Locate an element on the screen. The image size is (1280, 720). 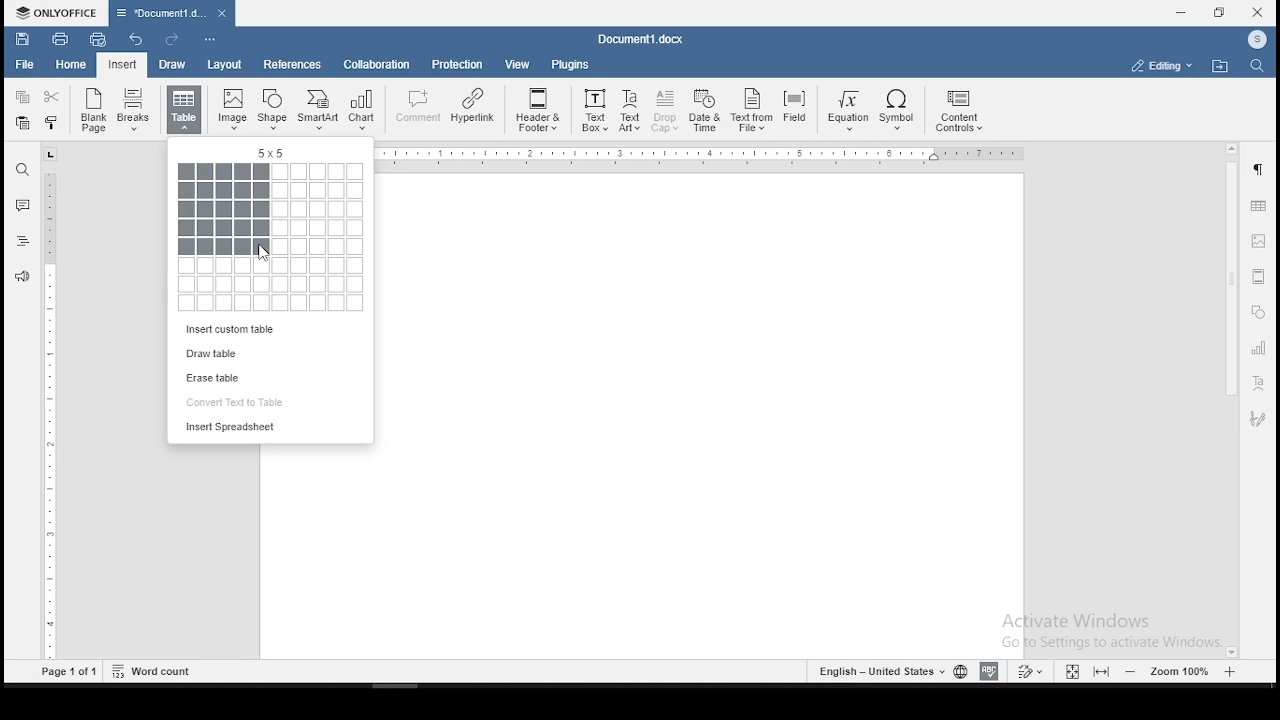
Page1 of 1 is located at coordinates (70, 673).